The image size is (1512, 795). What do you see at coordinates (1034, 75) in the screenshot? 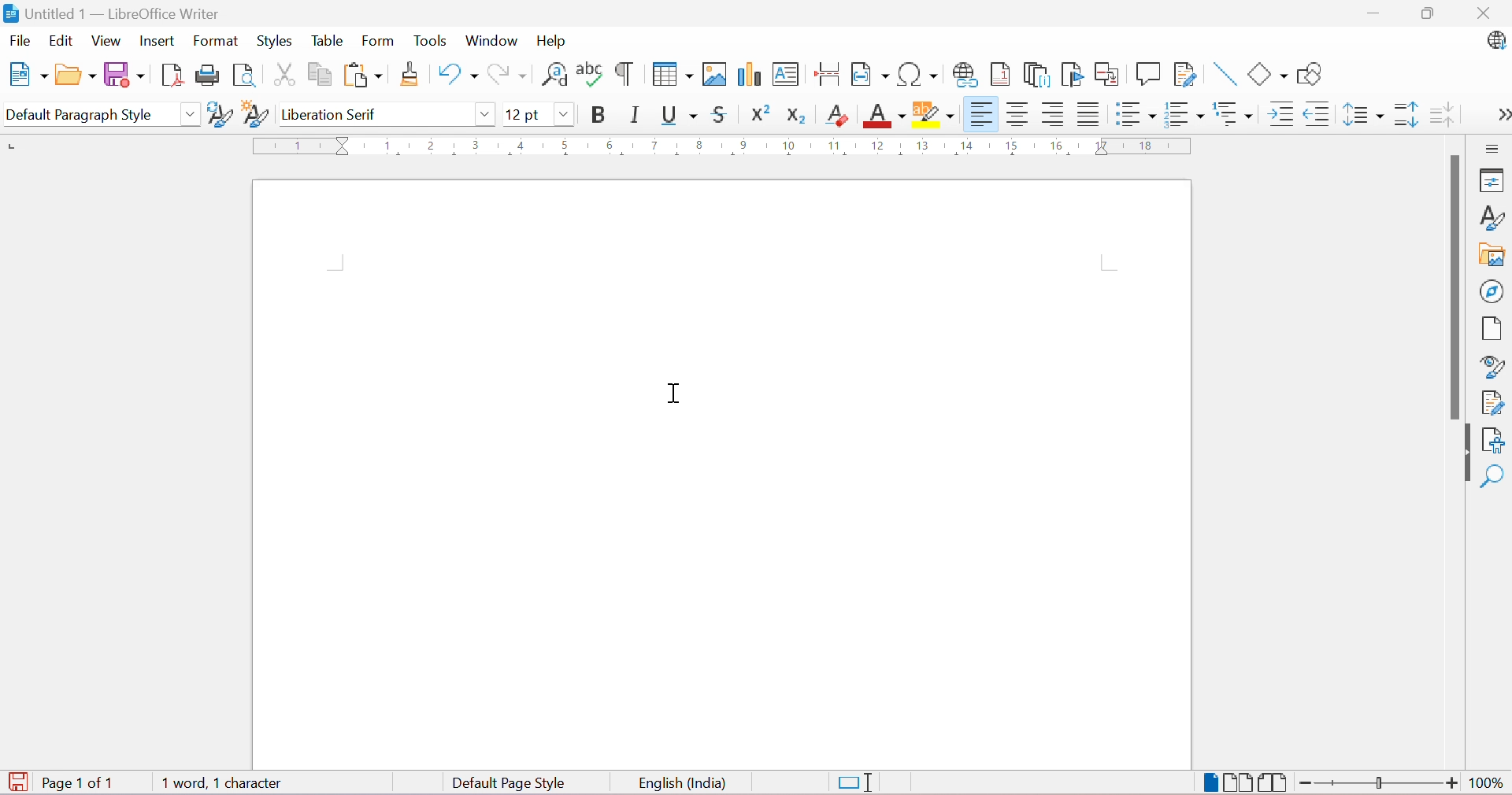
I see `Insert Endnote` at bounding box center [1034, 75].